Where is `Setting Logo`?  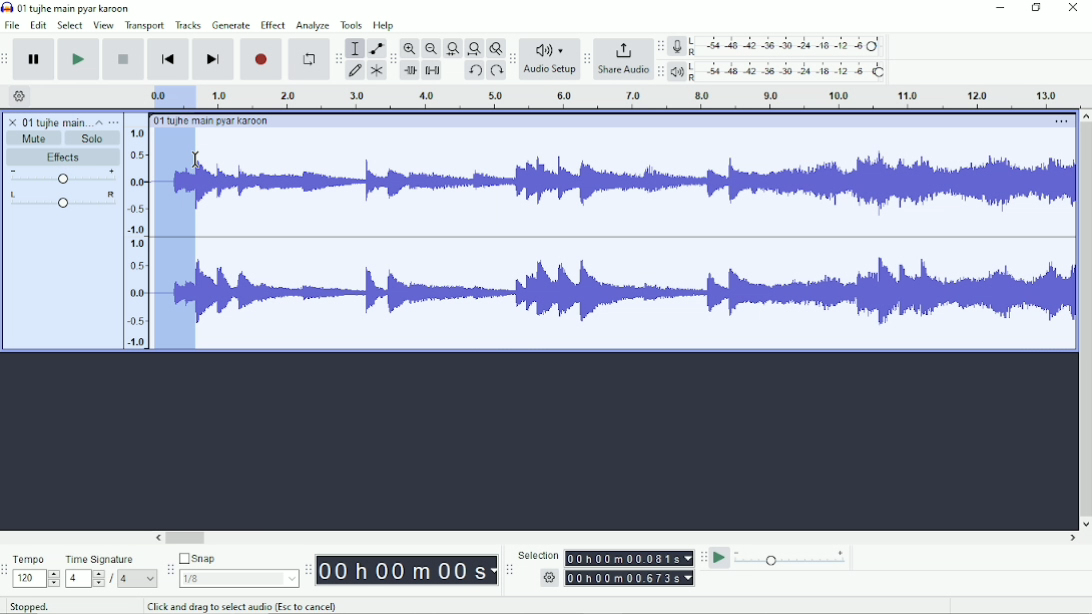
Setting Logo is located at coordinates (548, 580).